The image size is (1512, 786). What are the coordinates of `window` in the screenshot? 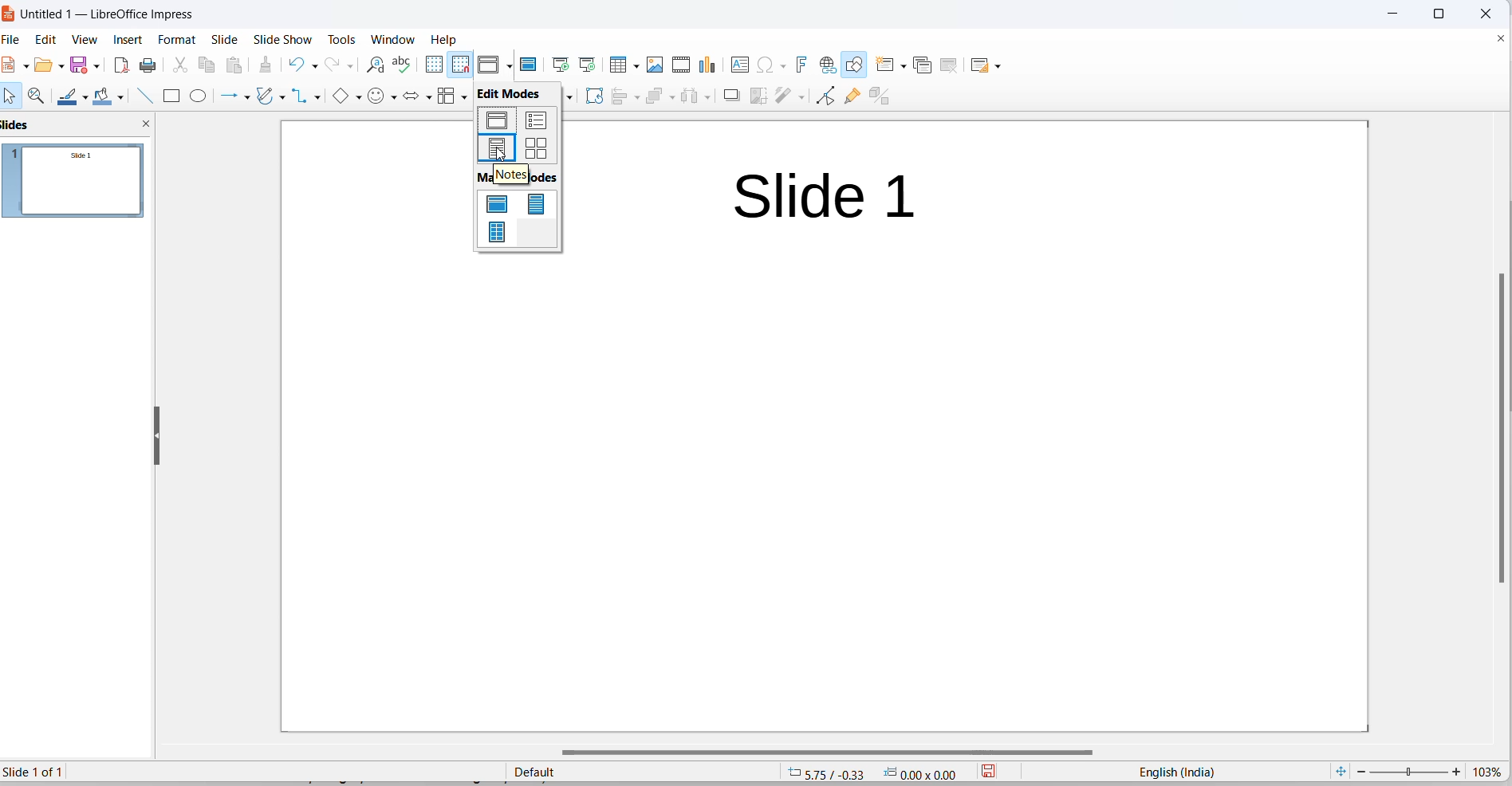 It's located at (392, 38).